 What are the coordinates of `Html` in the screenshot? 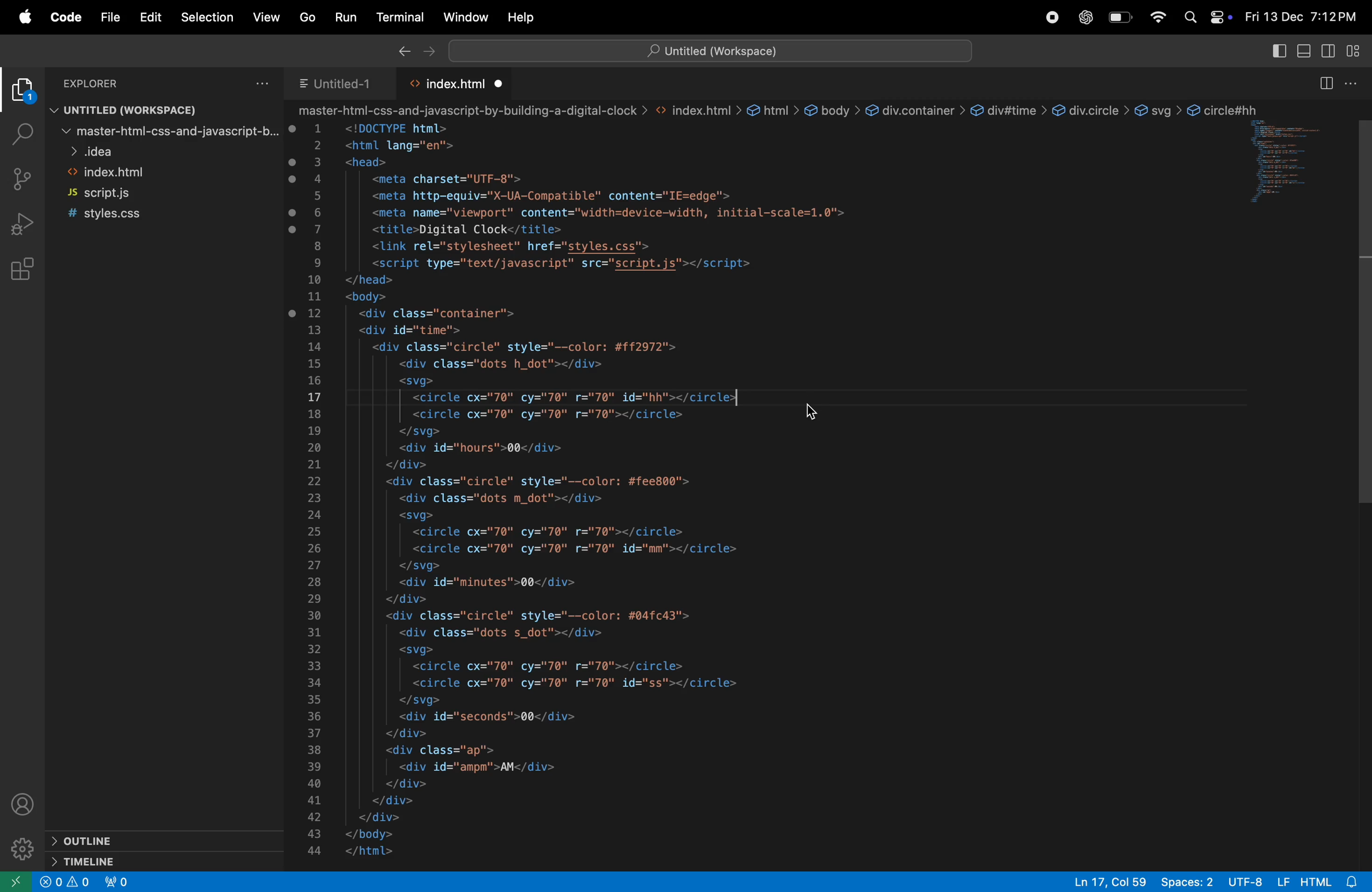 It's located at (1316, 880).